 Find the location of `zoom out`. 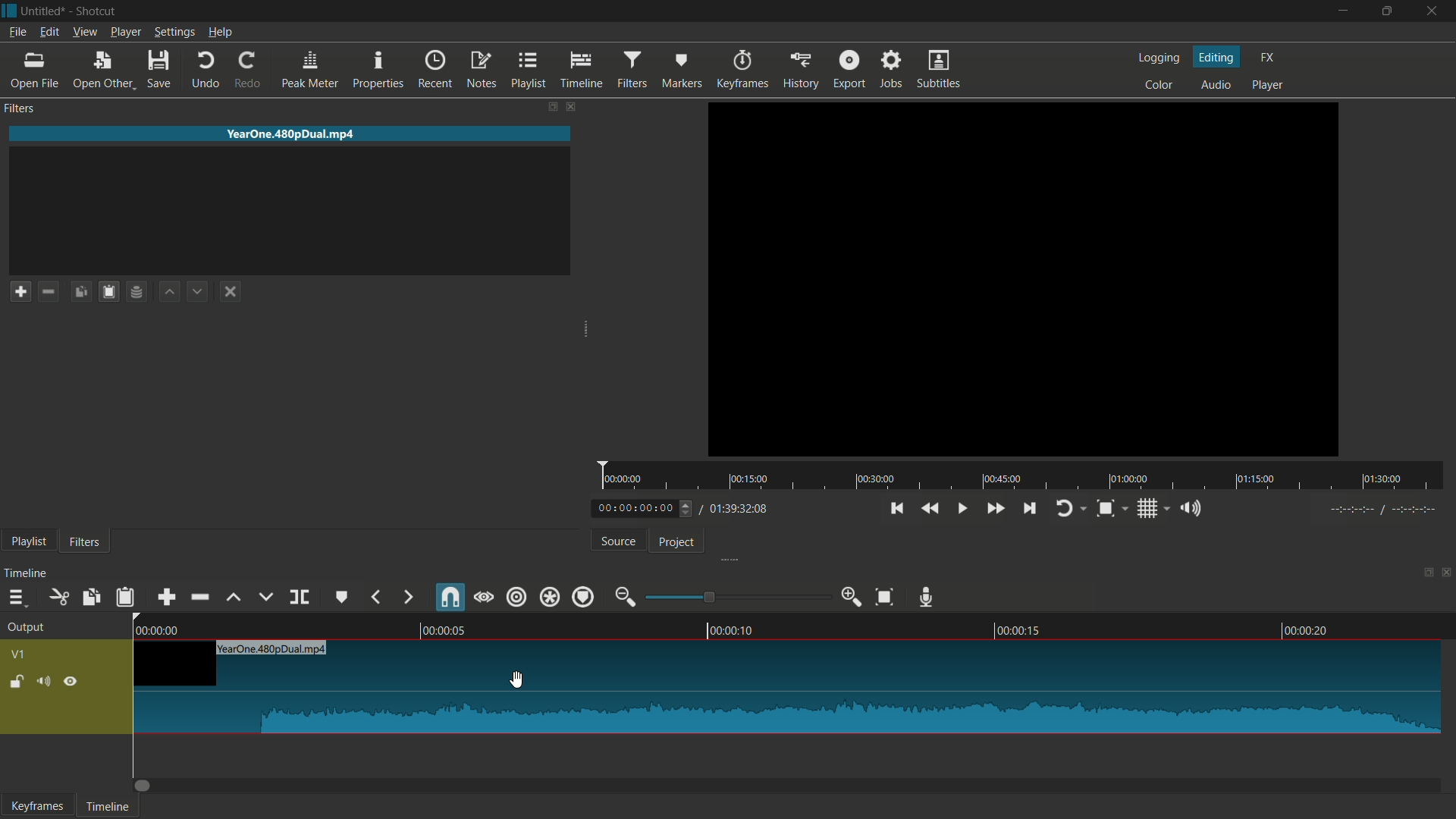

zoom out is located at coordinates (623, 595).